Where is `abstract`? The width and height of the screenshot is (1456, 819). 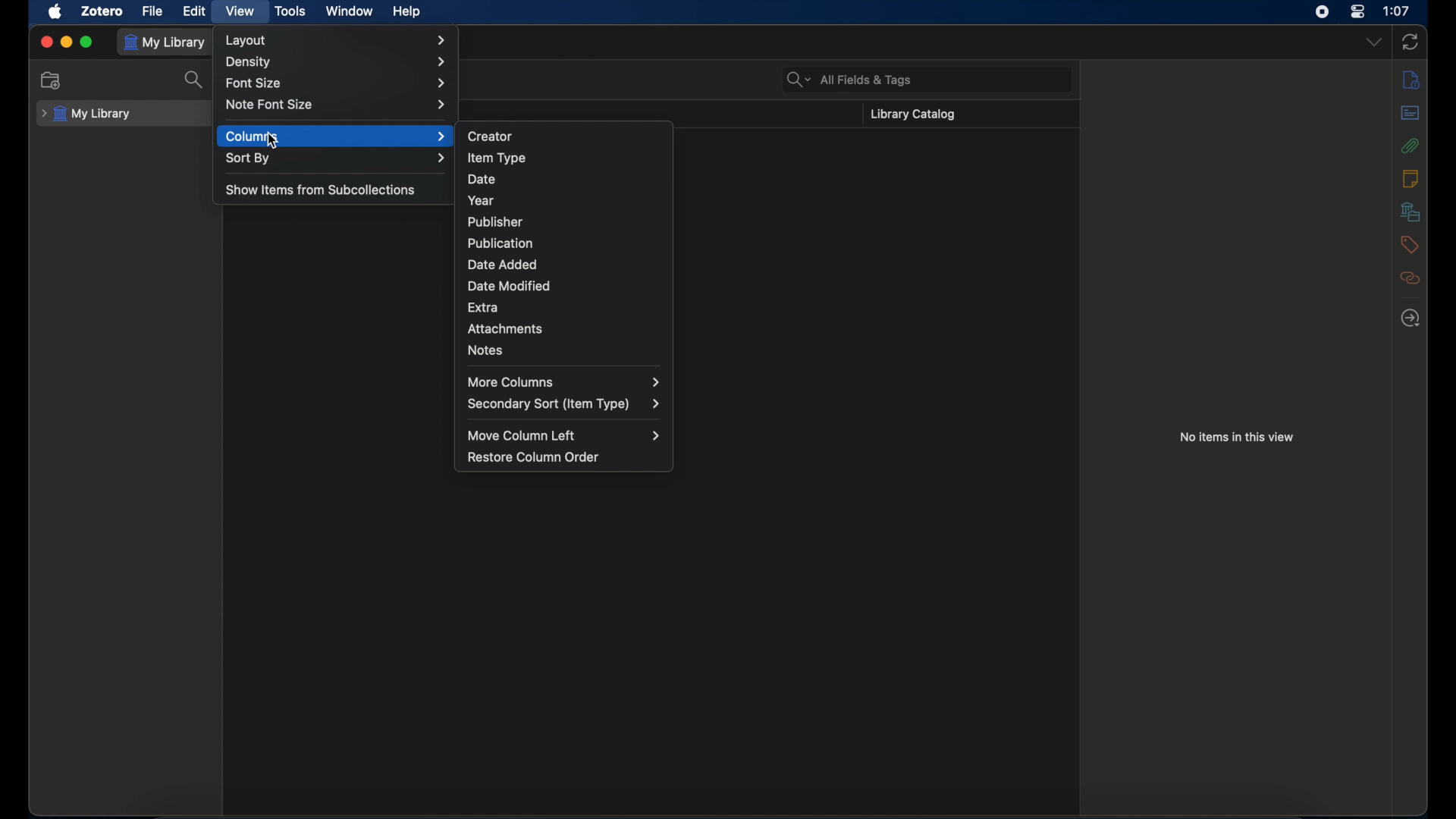 abstract is located at coordinates (1410, 113).